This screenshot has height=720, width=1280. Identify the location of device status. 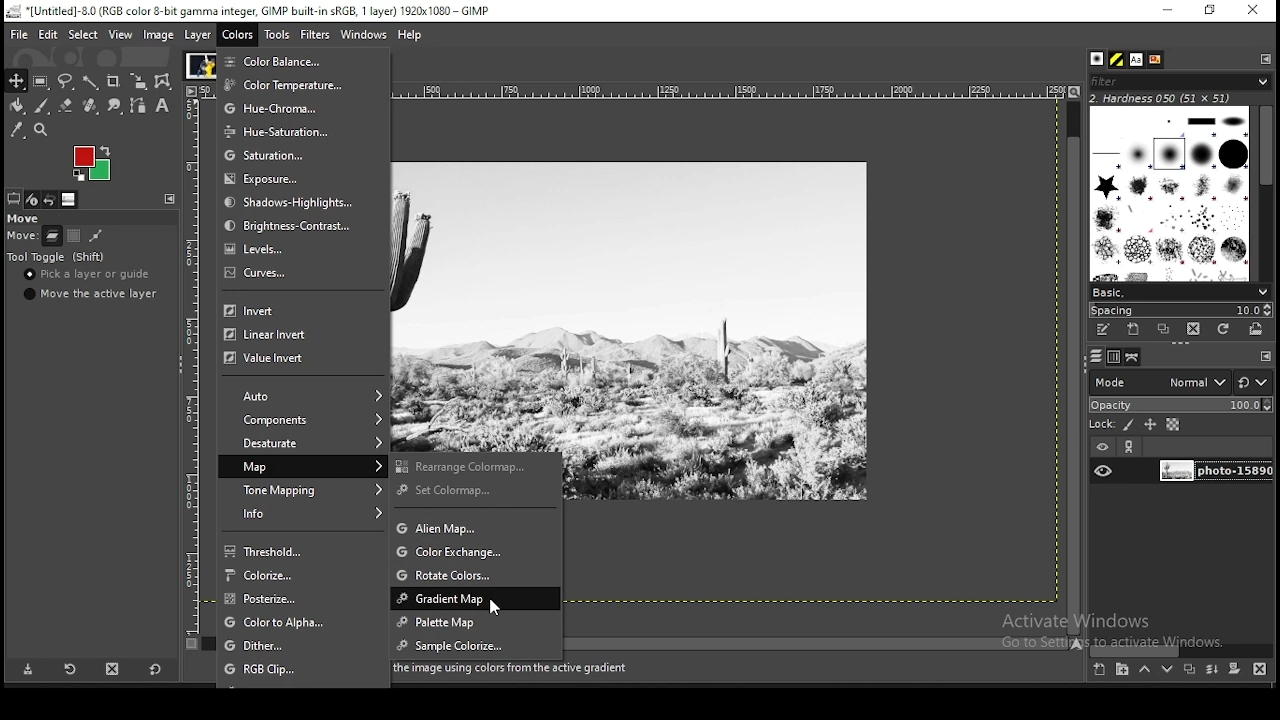
(34, 199).